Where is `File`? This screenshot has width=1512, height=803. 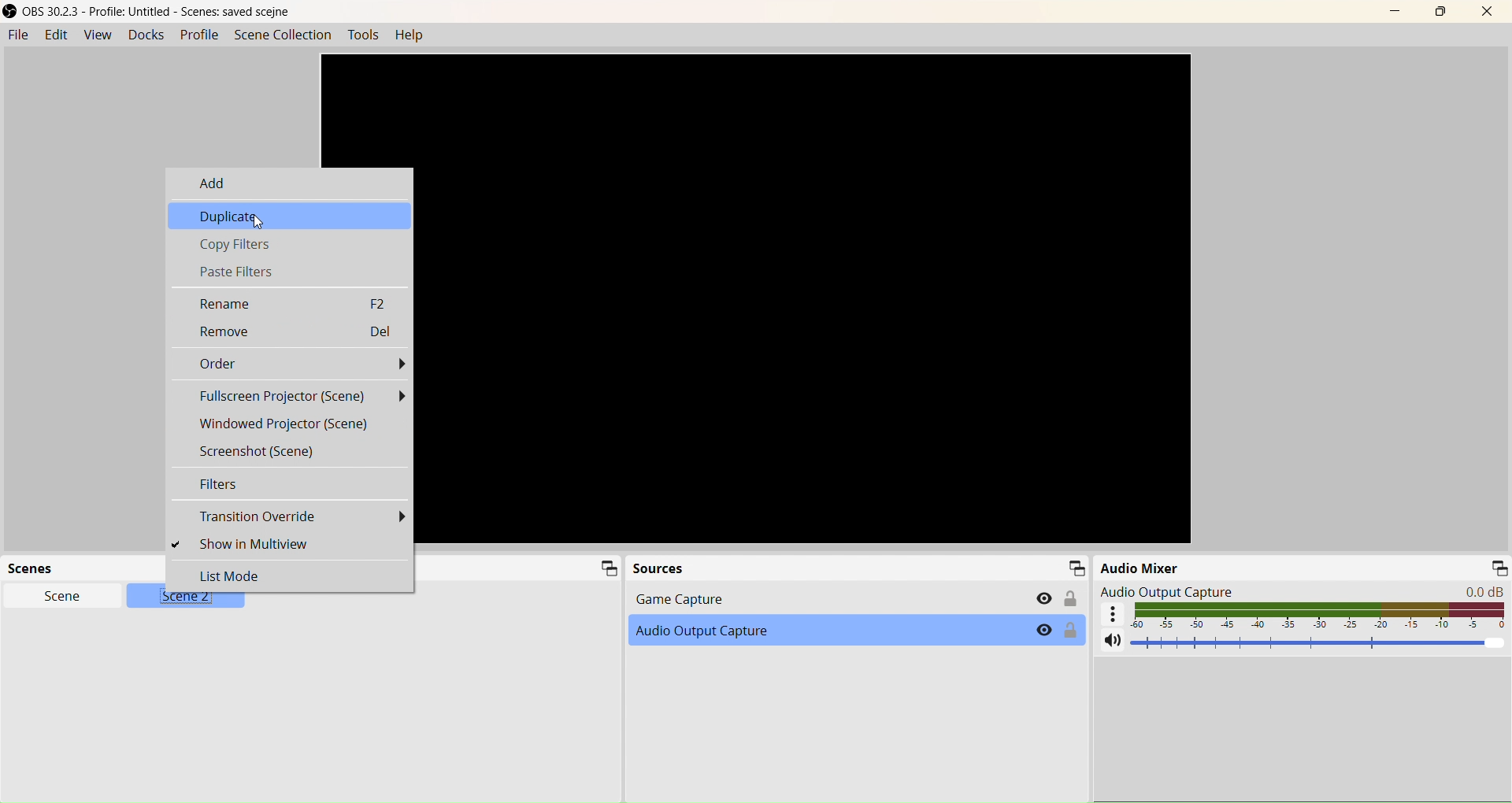
File is located at coordinates (17, 35).